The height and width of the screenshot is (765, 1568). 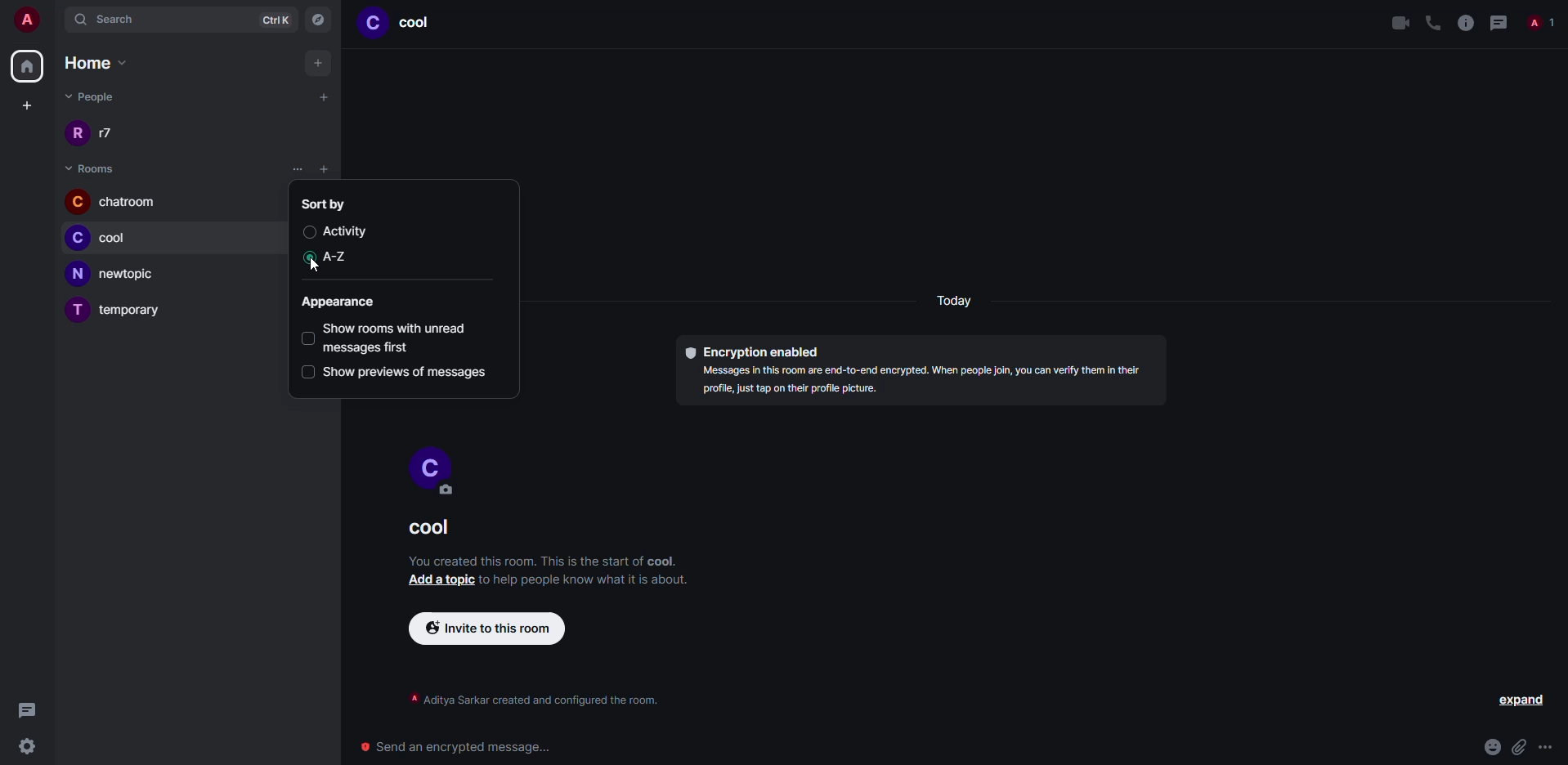 What do you see at coordinates (76, 311) in the screenshot?
I see `profile` at bounding box center [76, 311].